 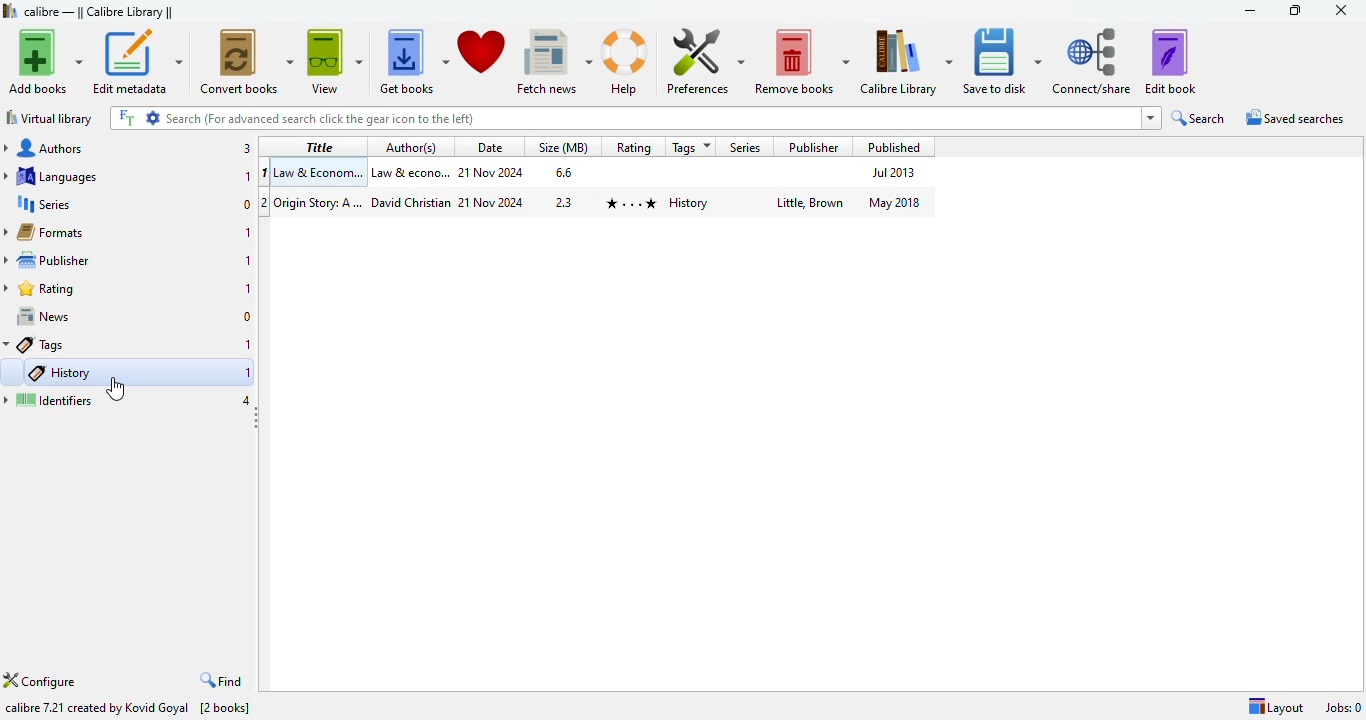 I want to click on fetch news, so click(x=554, y=60).